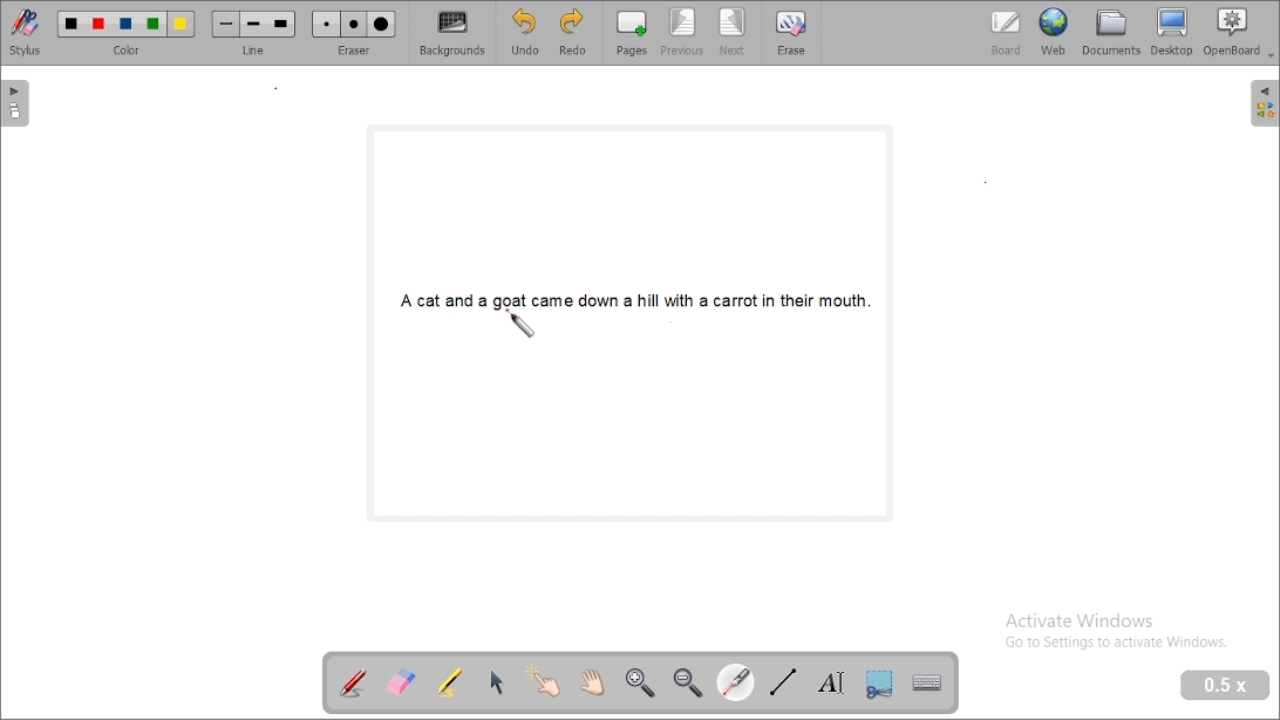  What do you see at coordinates (688, 684) in the screenshot?
I see `zoom out` at bounding box center [688, 684].